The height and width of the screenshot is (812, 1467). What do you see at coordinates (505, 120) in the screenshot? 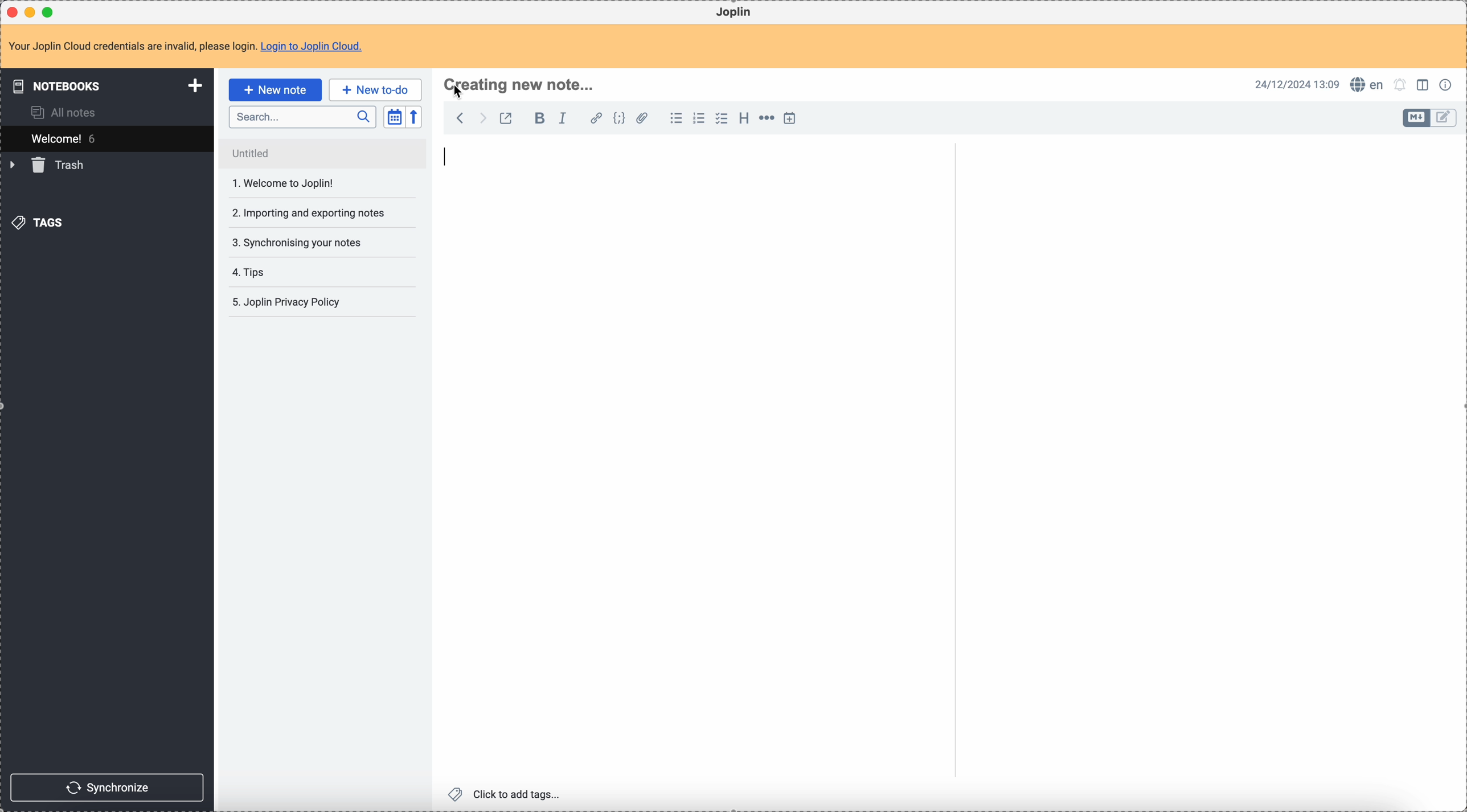
I see `toggle external editing` at bounding box center [505, 120].